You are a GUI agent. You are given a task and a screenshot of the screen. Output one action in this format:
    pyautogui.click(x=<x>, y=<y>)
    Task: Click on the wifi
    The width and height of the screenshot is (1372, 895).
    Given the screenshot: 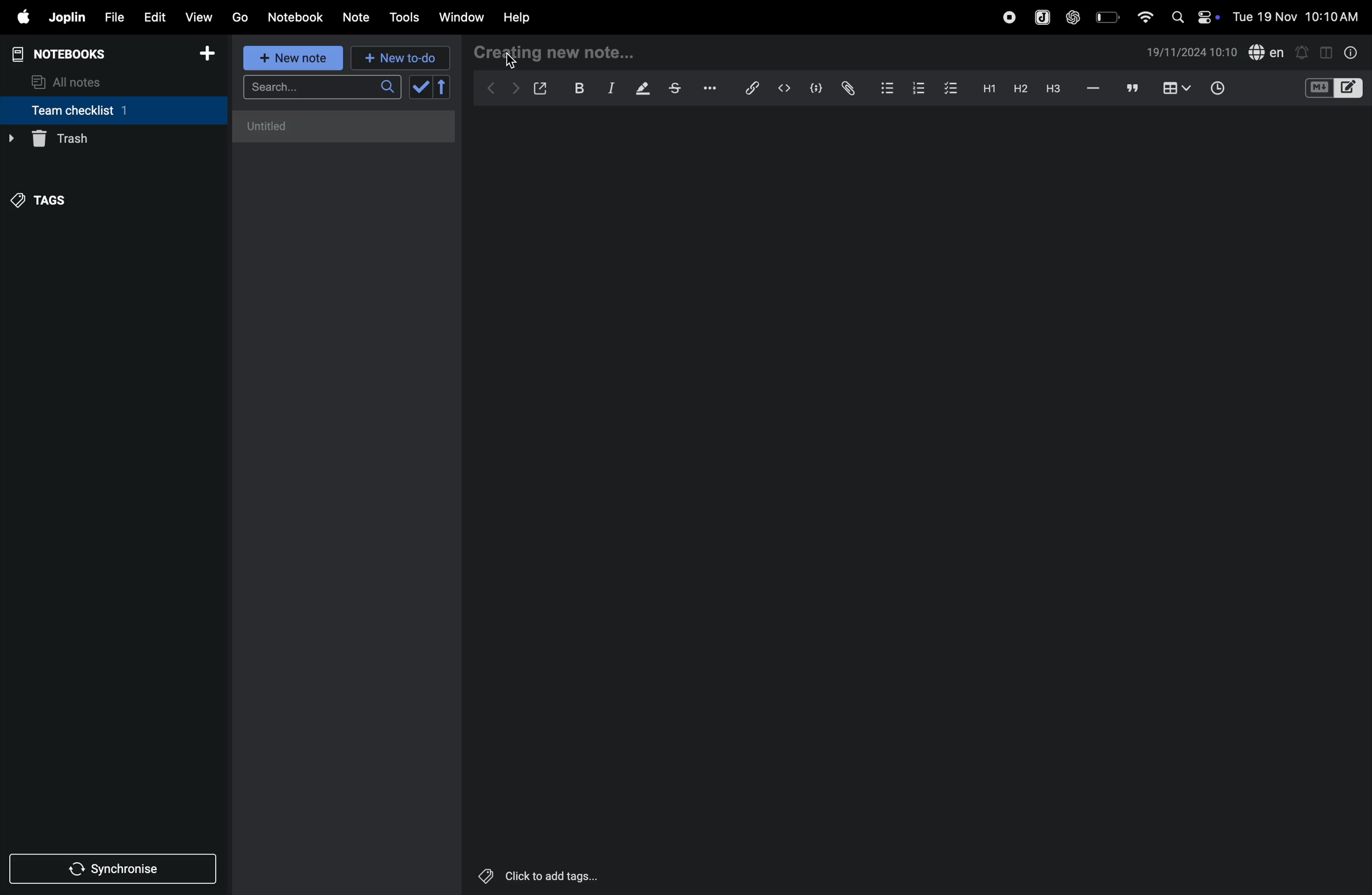 What is the action you would take?
    pyautogui.click(x=1141, y=16)
    